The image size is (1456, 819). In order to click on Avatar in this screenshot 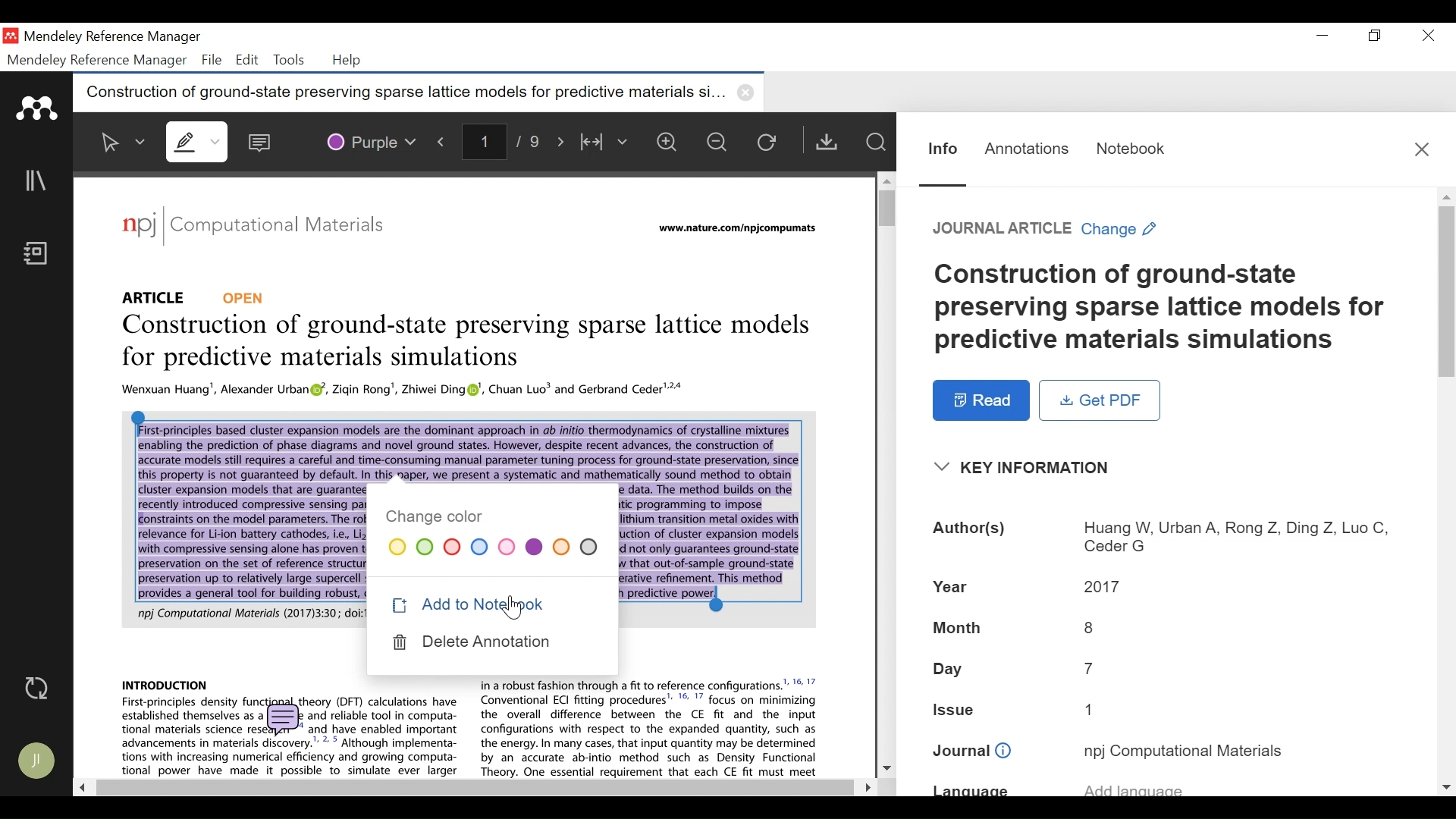, I will do `click(38, 761)`.